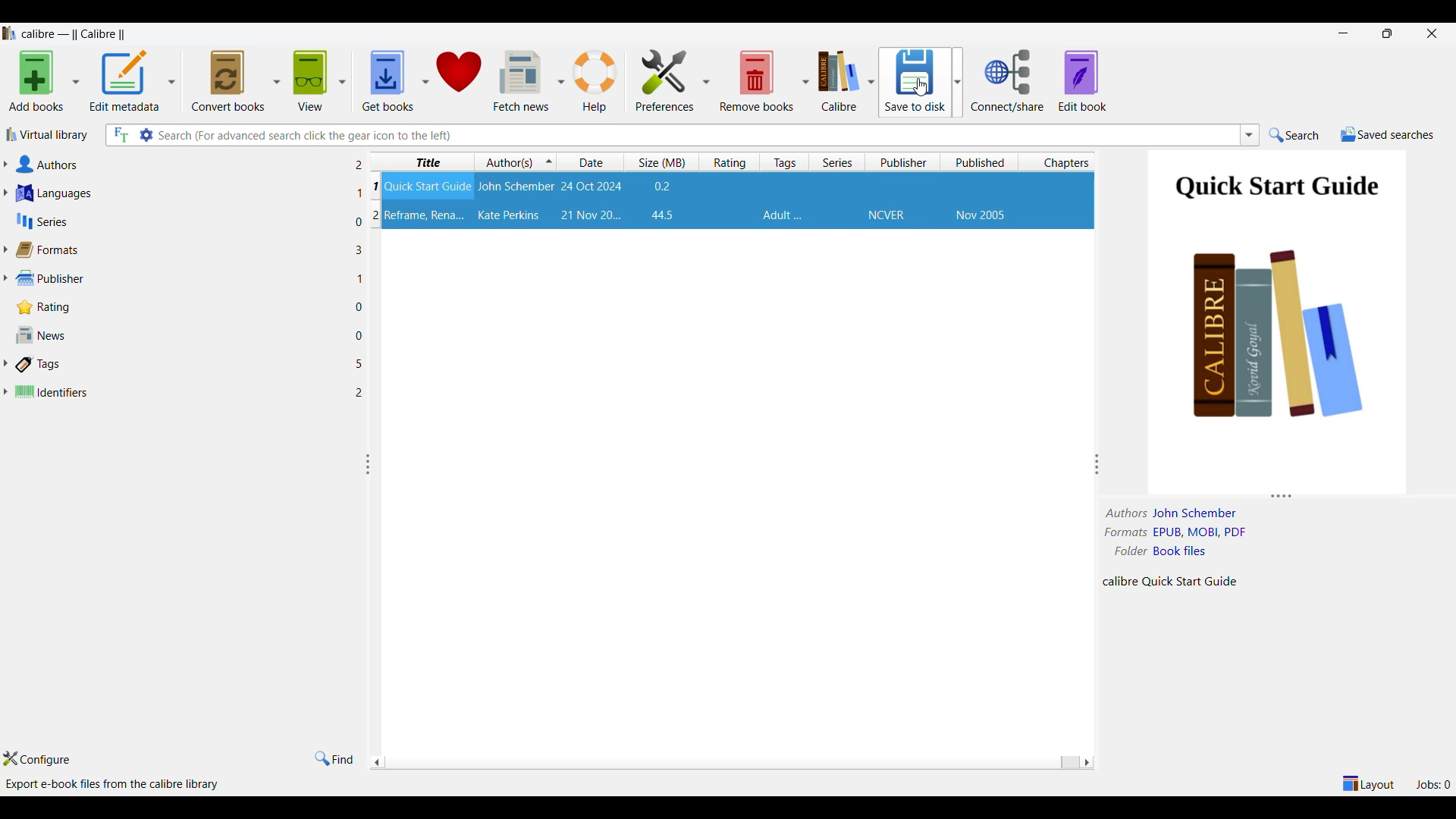 The image size is (1456, 819). I want to click on 1, so click(376, 189).